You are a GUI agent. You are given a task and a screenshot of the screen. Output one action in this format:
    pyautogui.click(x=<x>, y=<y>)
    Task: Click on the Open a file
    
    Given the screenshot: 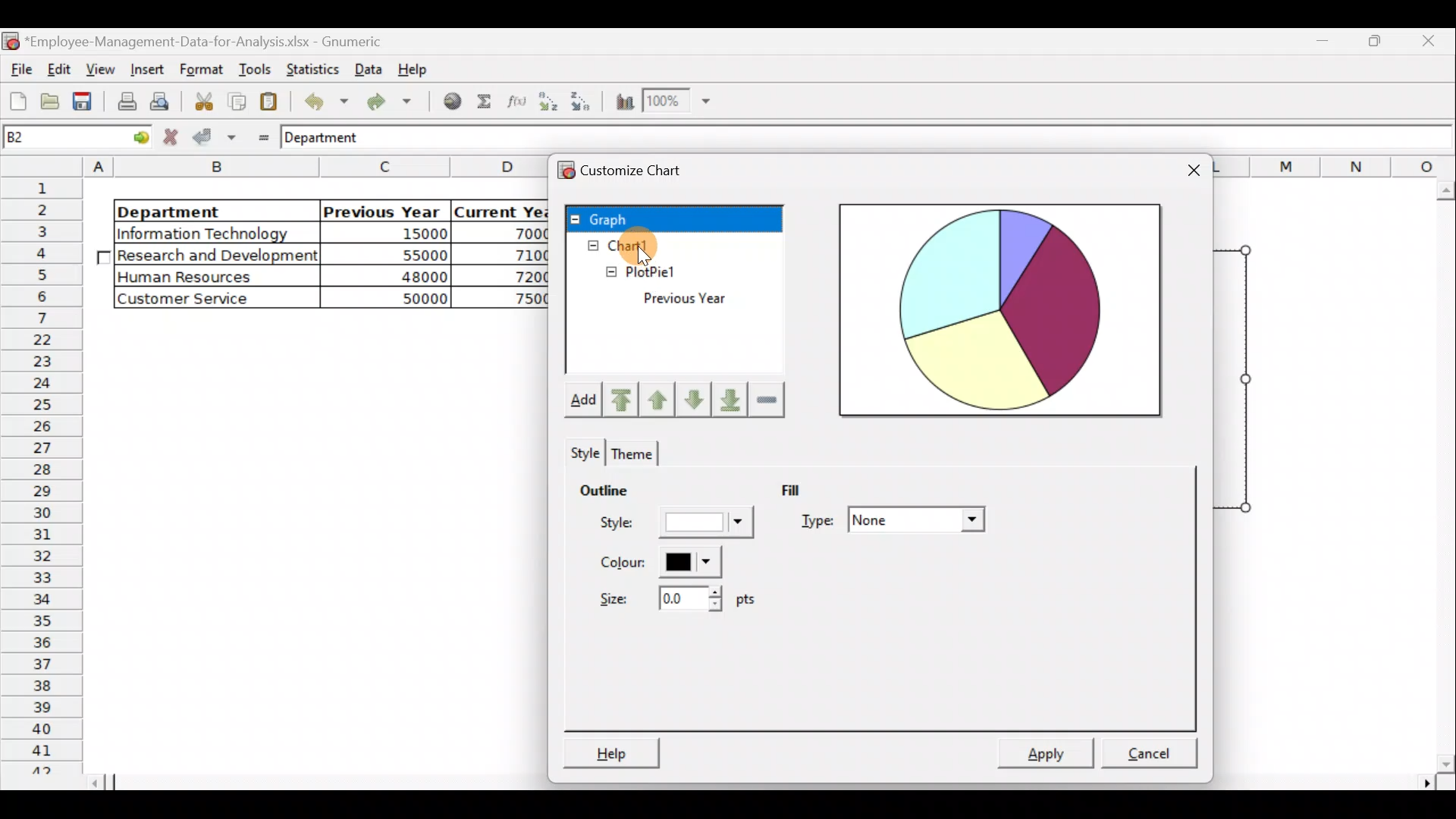 What is the action you would take?
    pyautogui.click(x=49, y=104)
    